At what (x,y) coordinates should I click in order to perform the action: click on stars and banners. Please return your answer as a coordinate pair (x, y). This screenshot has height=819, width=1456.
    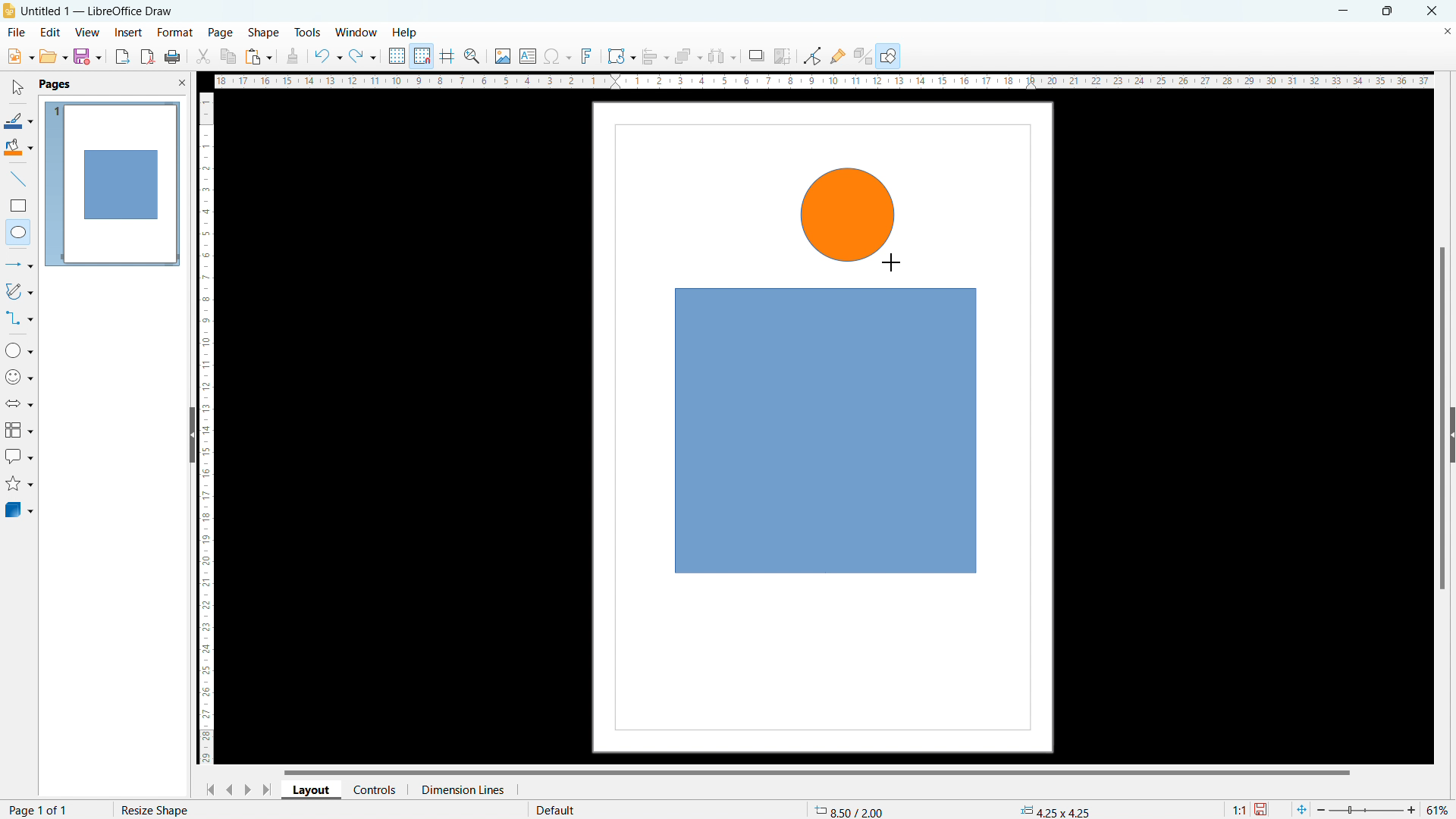
    Looking at the image, I should click on (18, 485).